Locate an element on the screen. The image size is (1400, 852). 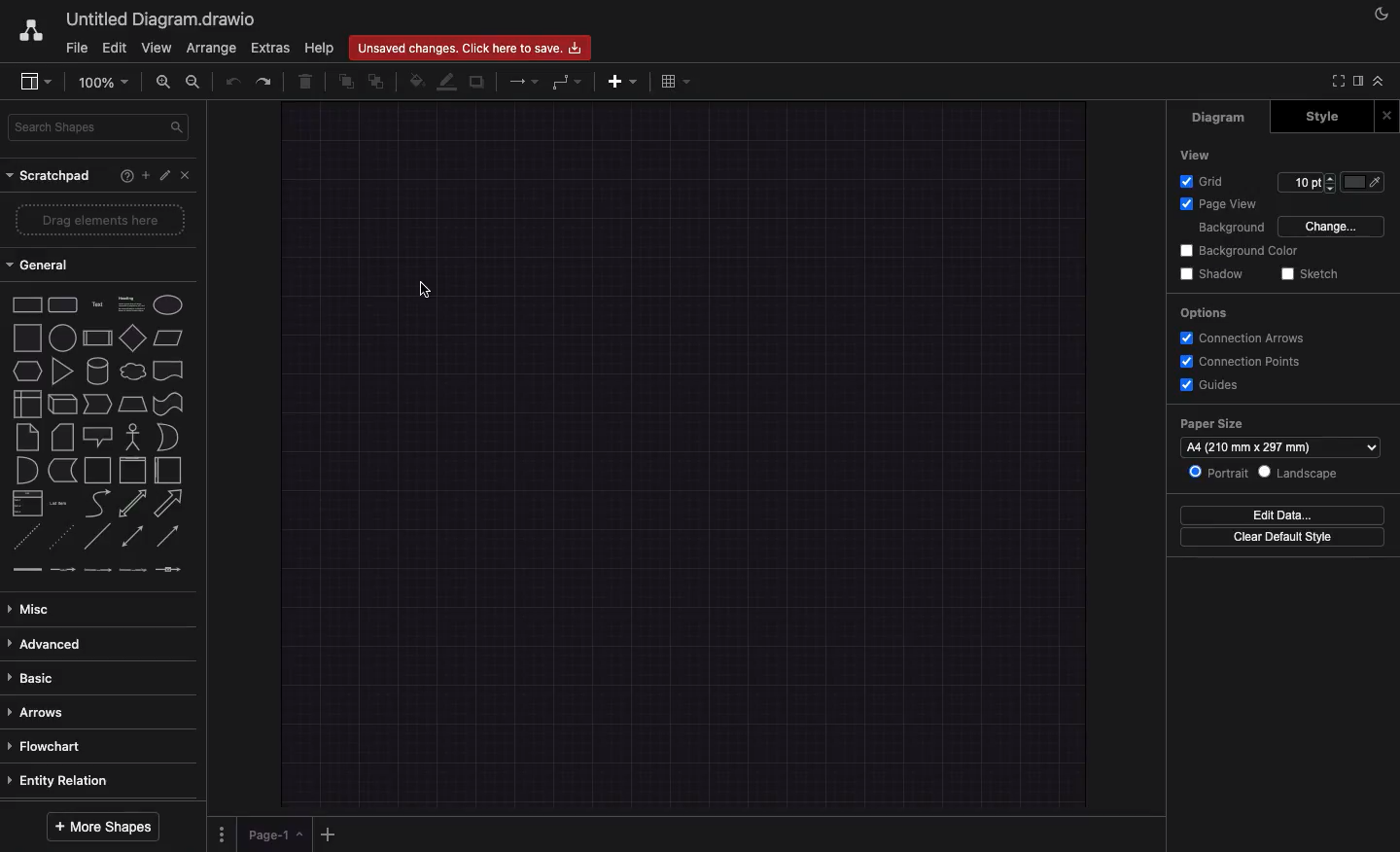
Draw.io is located at coordinates (33, 30).